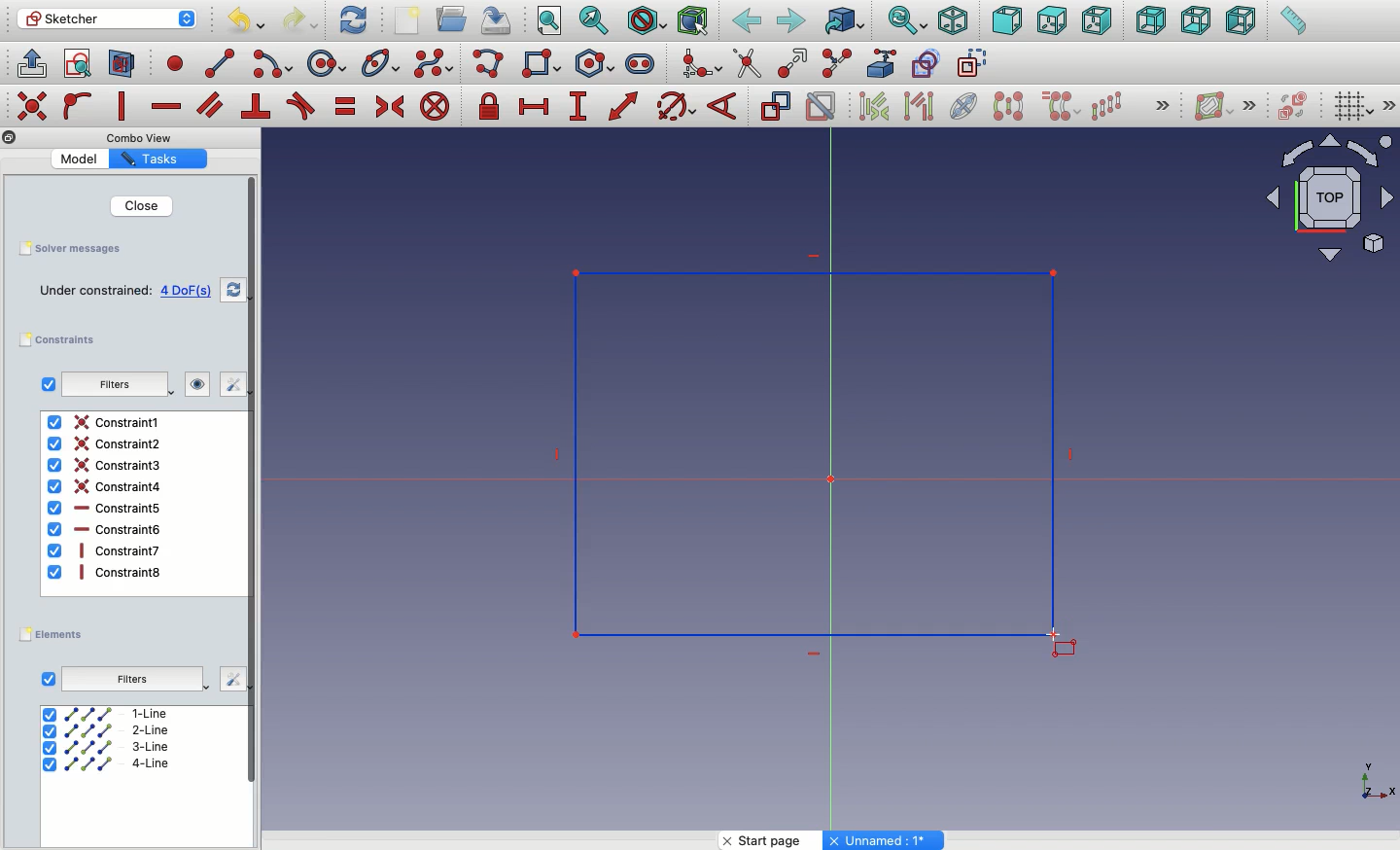 The width and height of the screenshot is (1400, 850). I want to click on New, so click(411, 22).